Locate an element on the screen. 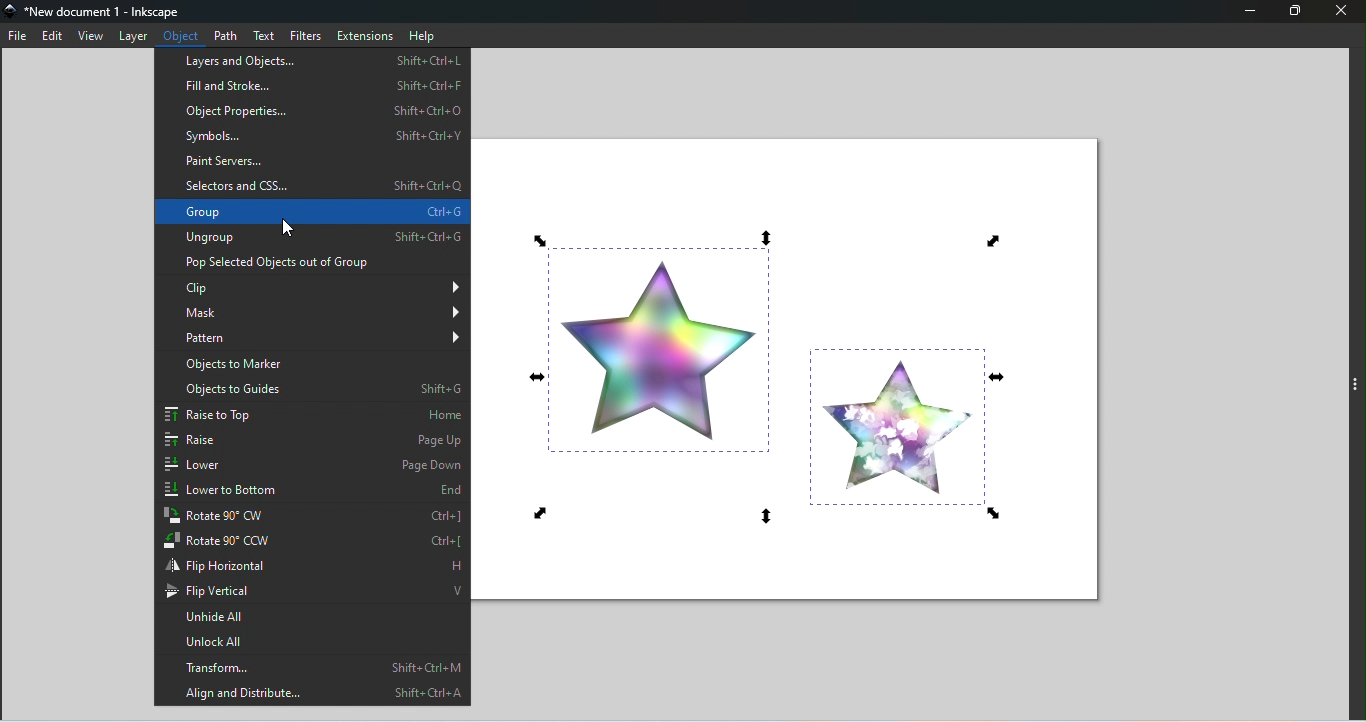  Symbols is located at coordinates (312, 136).